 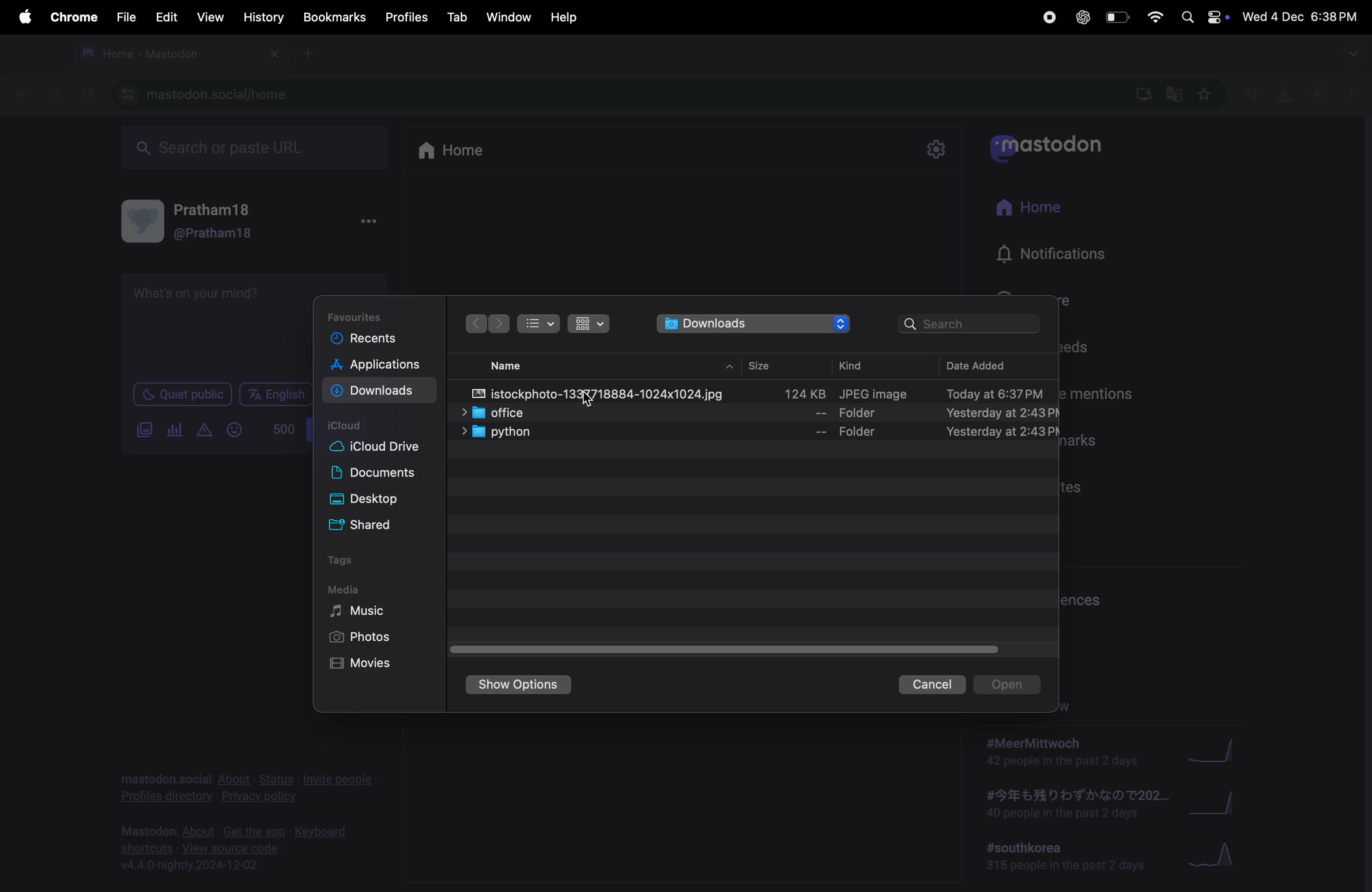 What do you see at coordinates (88, 94) in the screenshot?
I see `refresh` at bounding box center [88, 94].